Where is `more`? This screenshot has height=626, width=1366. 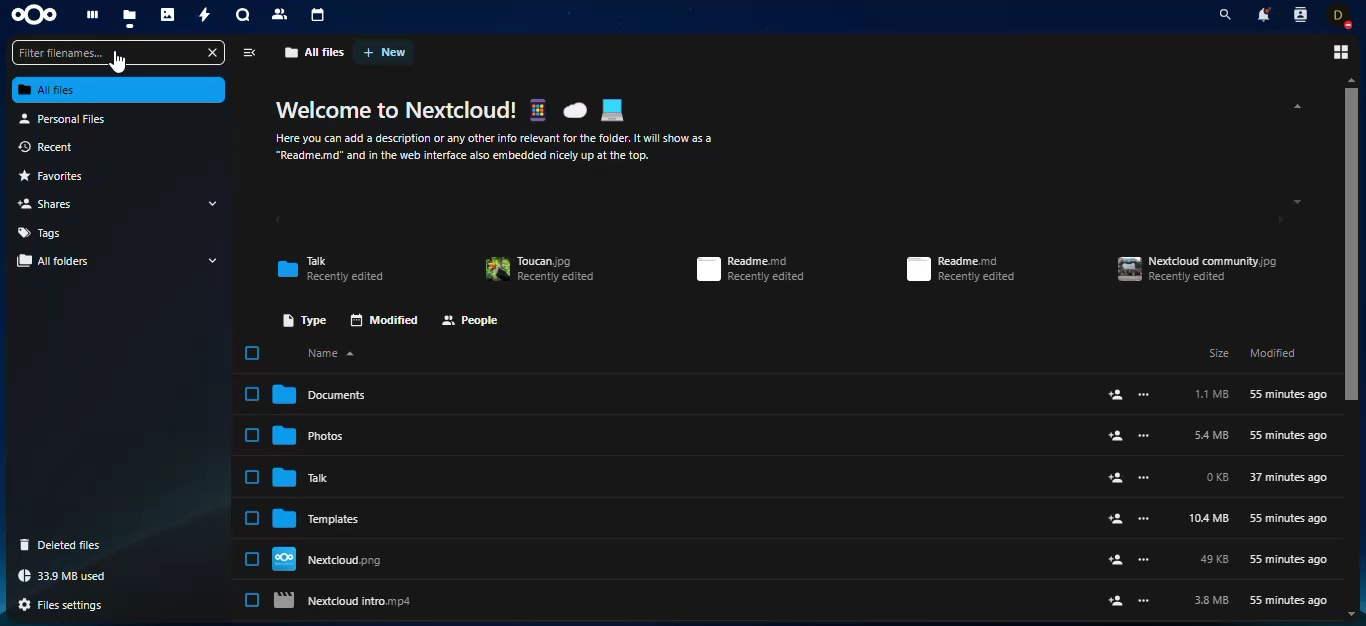
more is located at coordinates (1144, 478).